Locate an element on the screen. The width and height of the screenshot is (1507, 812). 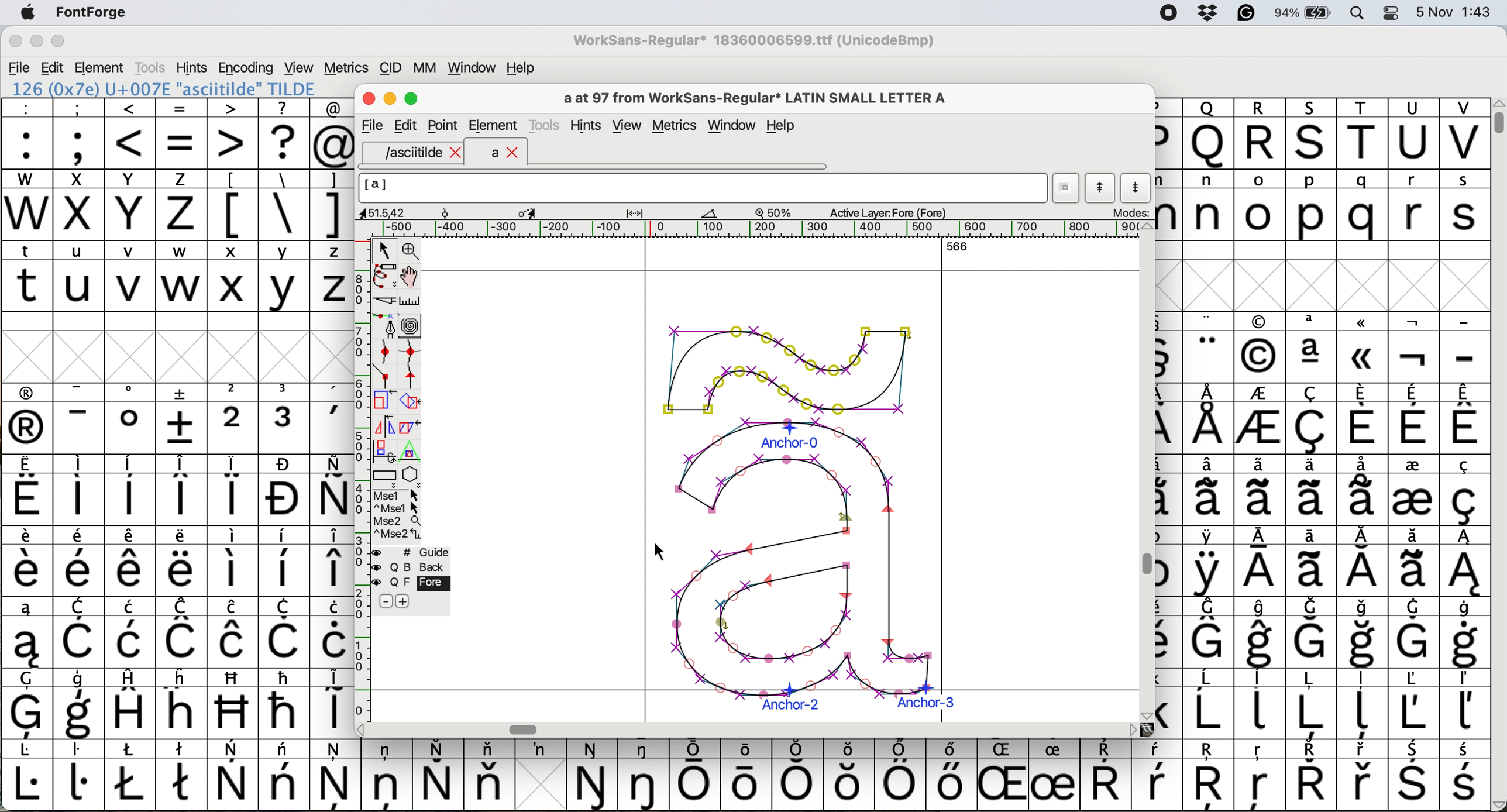
symbol is located at coordinates (1464, 633).